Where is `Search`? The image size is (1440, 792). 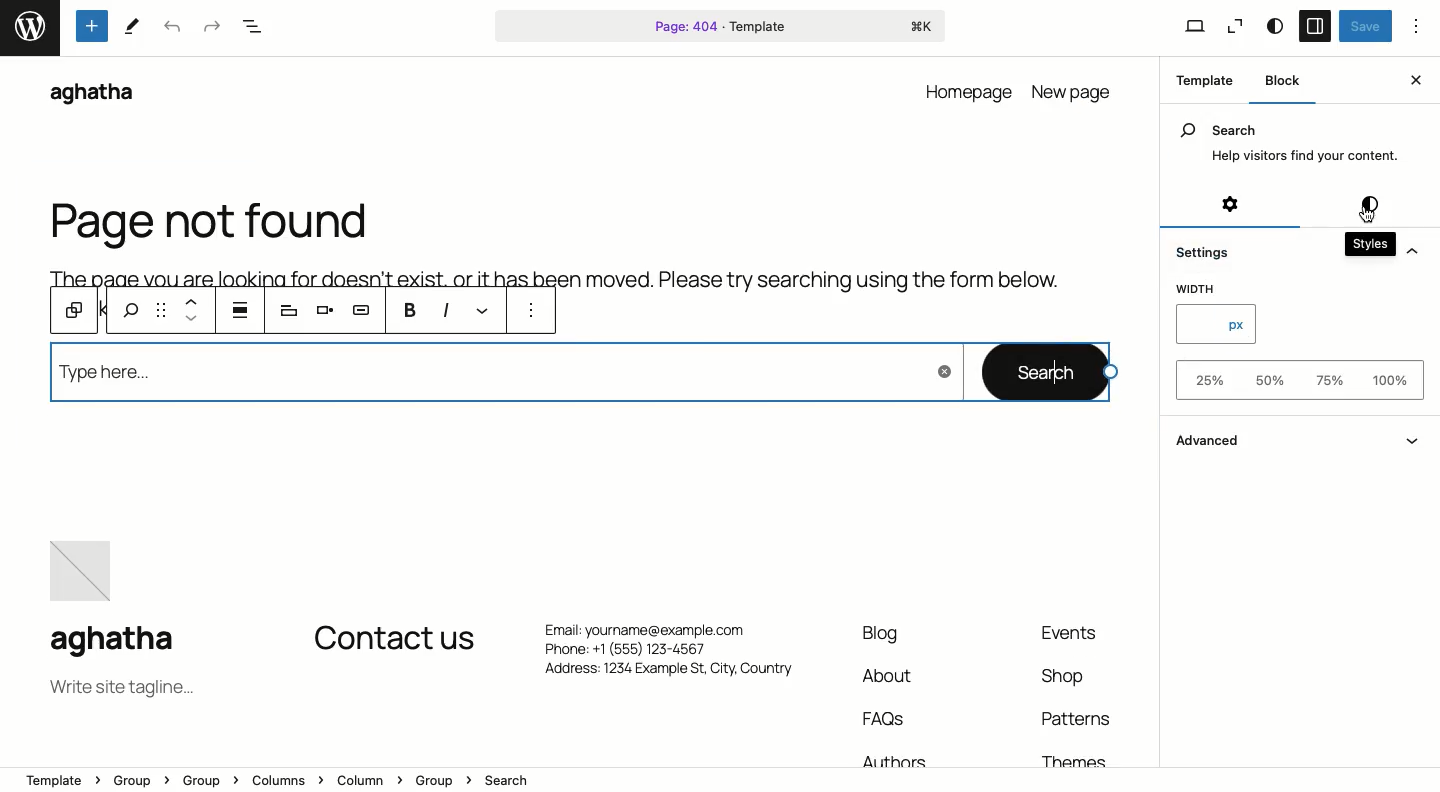 Search is located at coordinates (1296, 130).